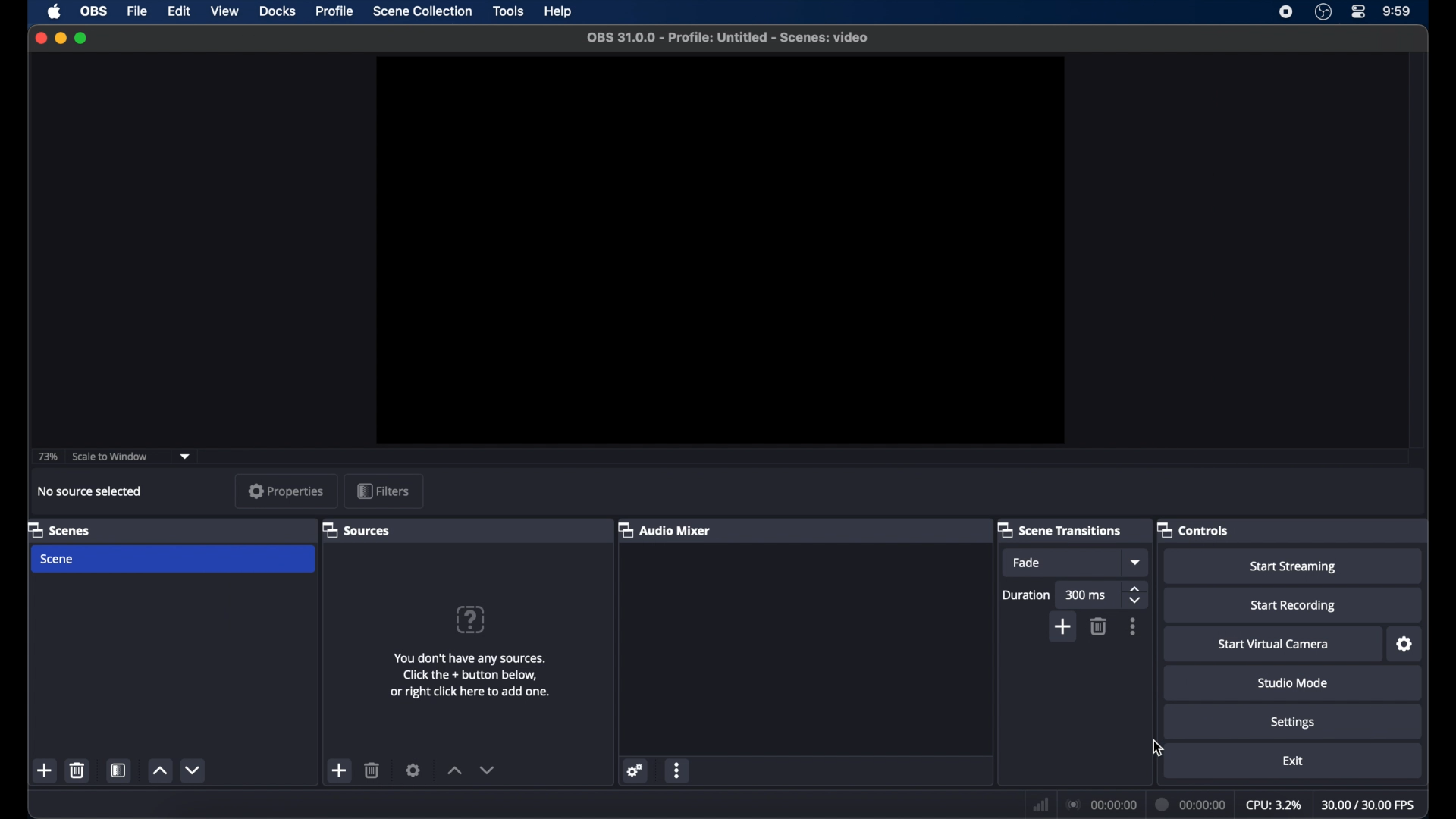 This screenshot has width=1456, height=819. I want to click on dropdown, so click(1137, 562).